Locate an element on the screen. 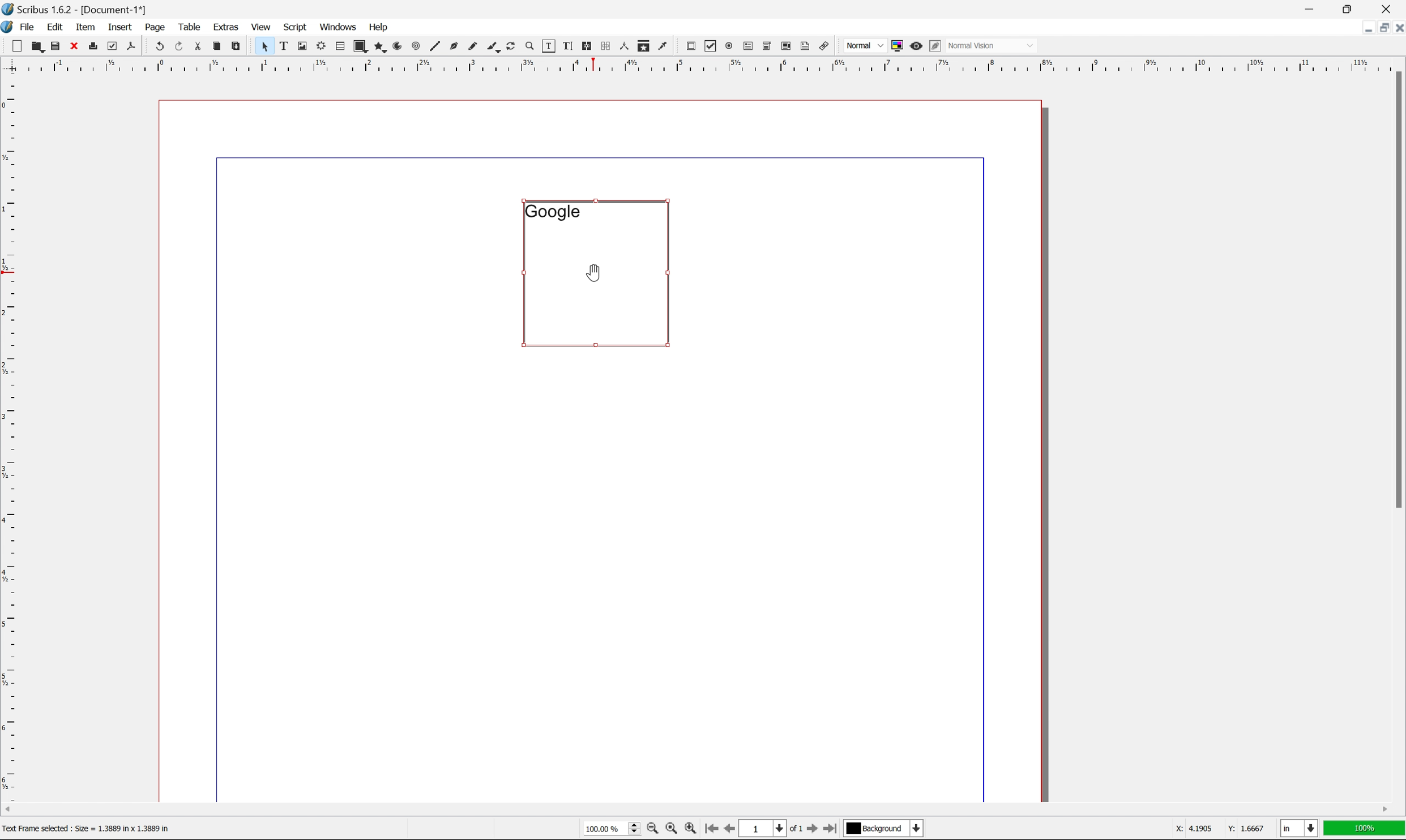 This screenshot has height=840, width=1406. pdf combo box is located at coordinates (766, 47).